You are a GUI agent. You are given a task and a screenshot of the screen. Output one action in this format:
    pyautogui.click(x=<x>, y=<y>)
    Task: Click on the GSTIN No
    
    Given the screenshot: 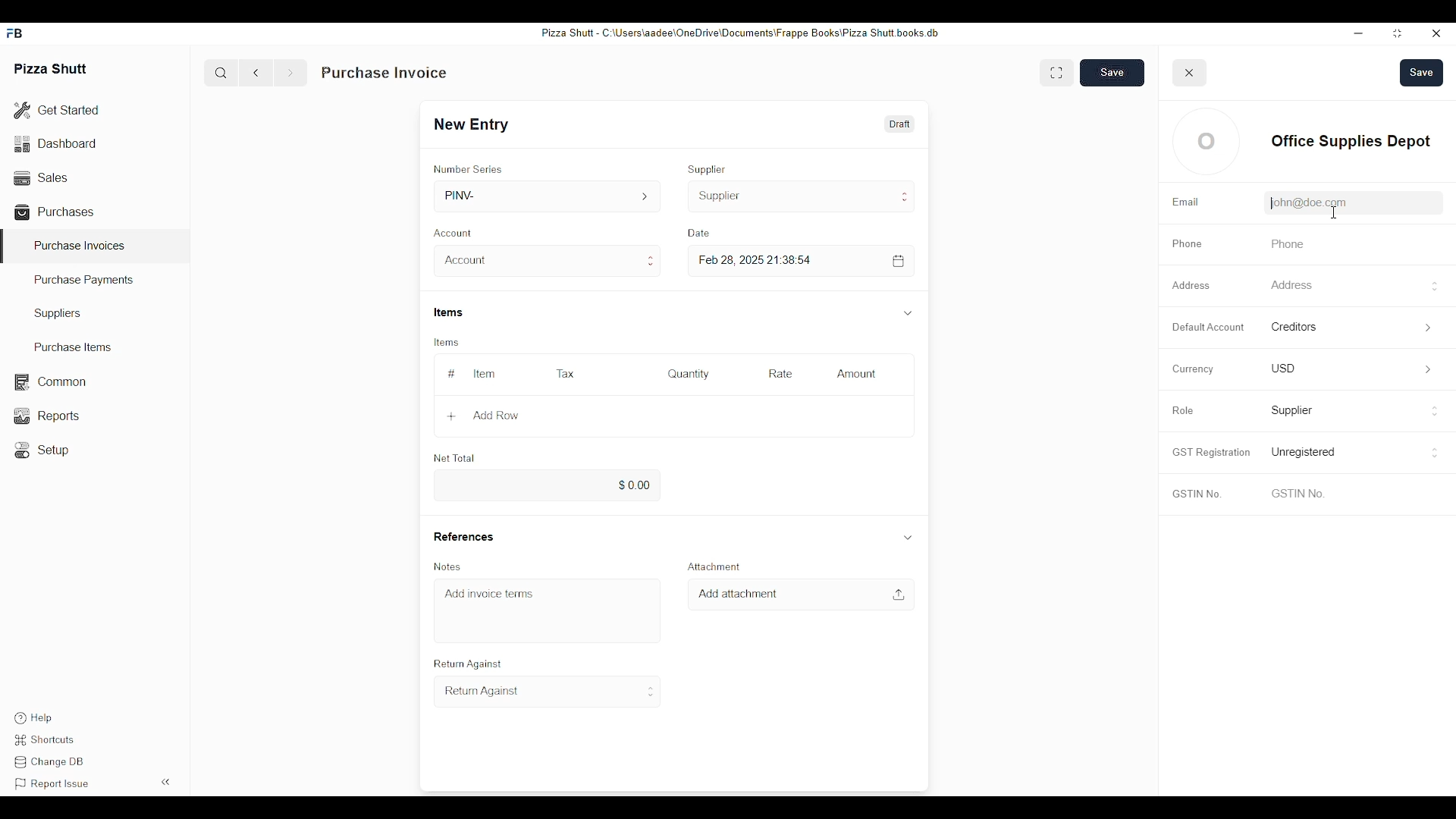 What is the action you would take?
    pyautogui.click(x=1296, y=493)
    